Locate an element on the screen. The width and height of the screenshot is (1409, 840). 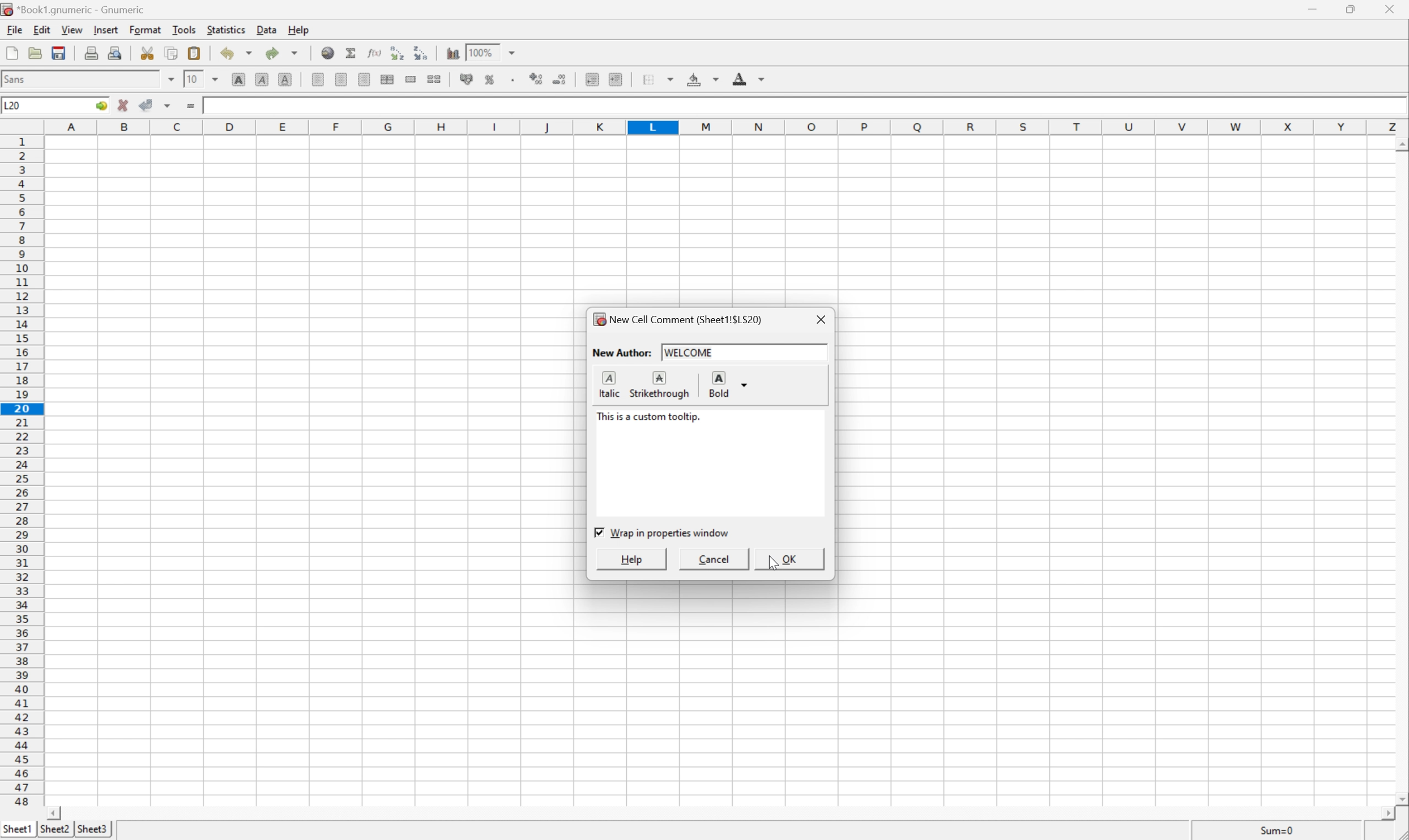
Cut selection is located at coordinates (150, 52).